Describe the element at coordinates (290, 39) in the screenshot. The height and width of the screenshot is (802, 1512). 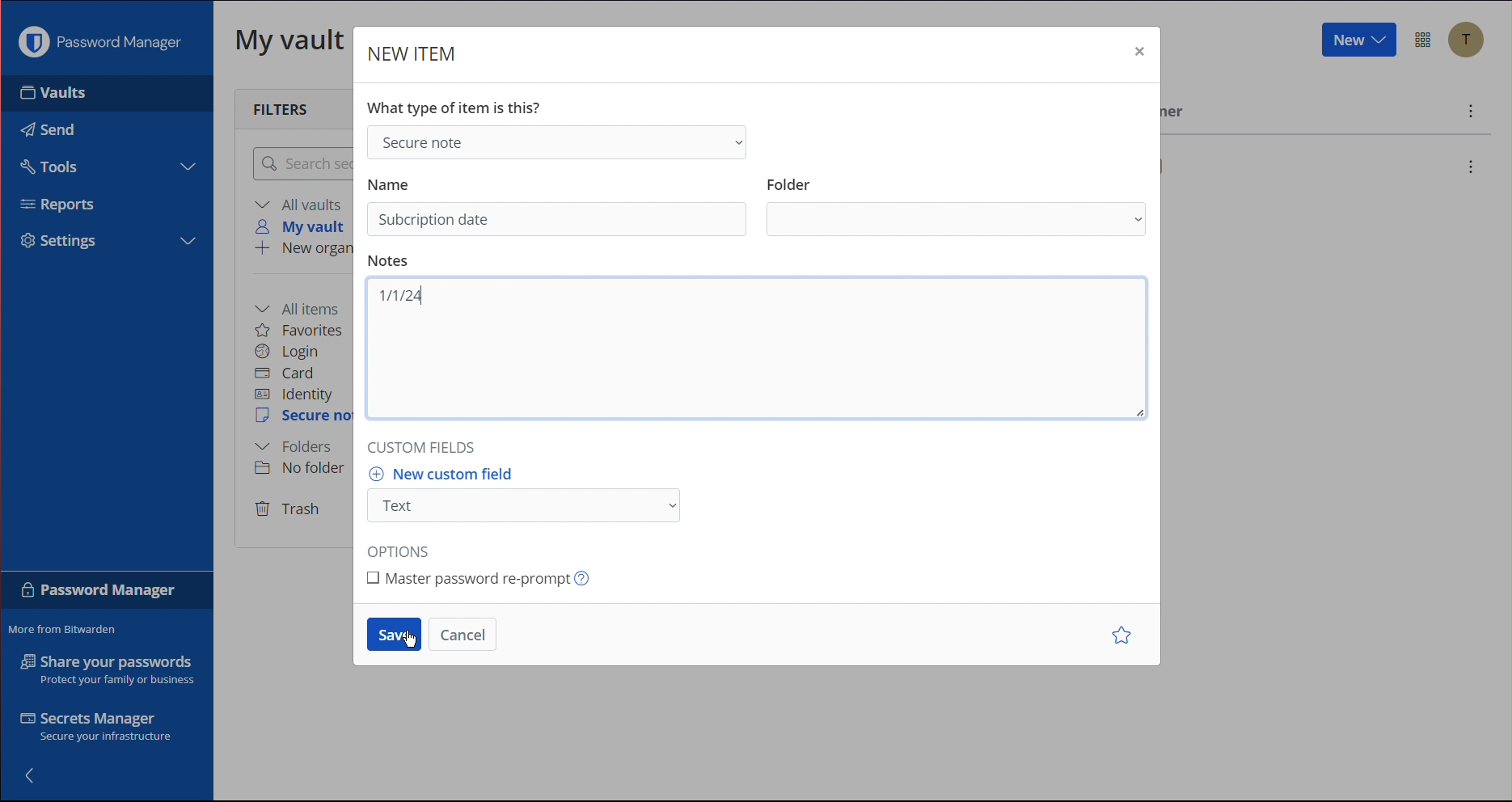
I see `My Vault` at that location.